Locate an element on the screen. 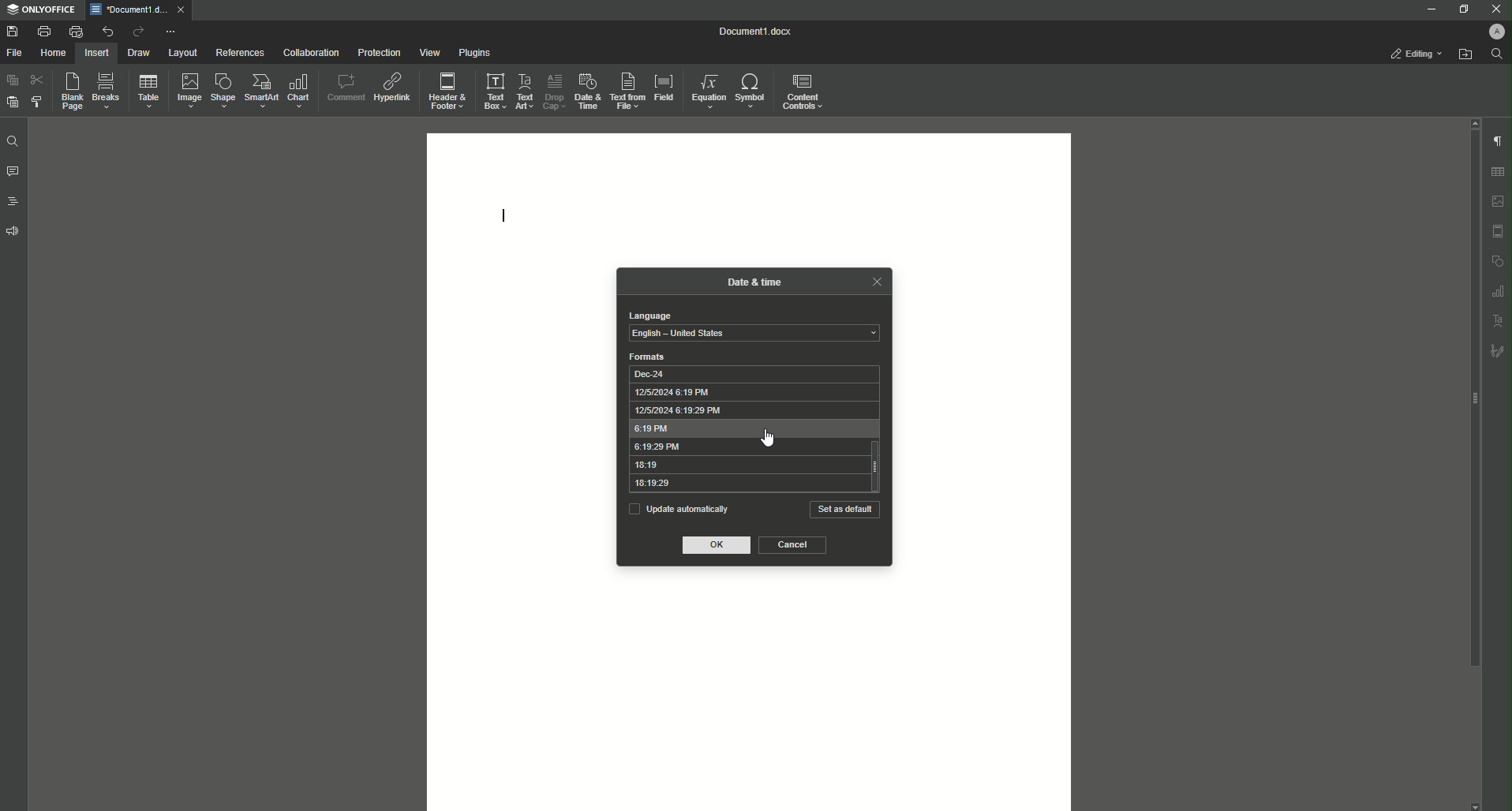  6:19 PM is located at coordinates (747, 429).